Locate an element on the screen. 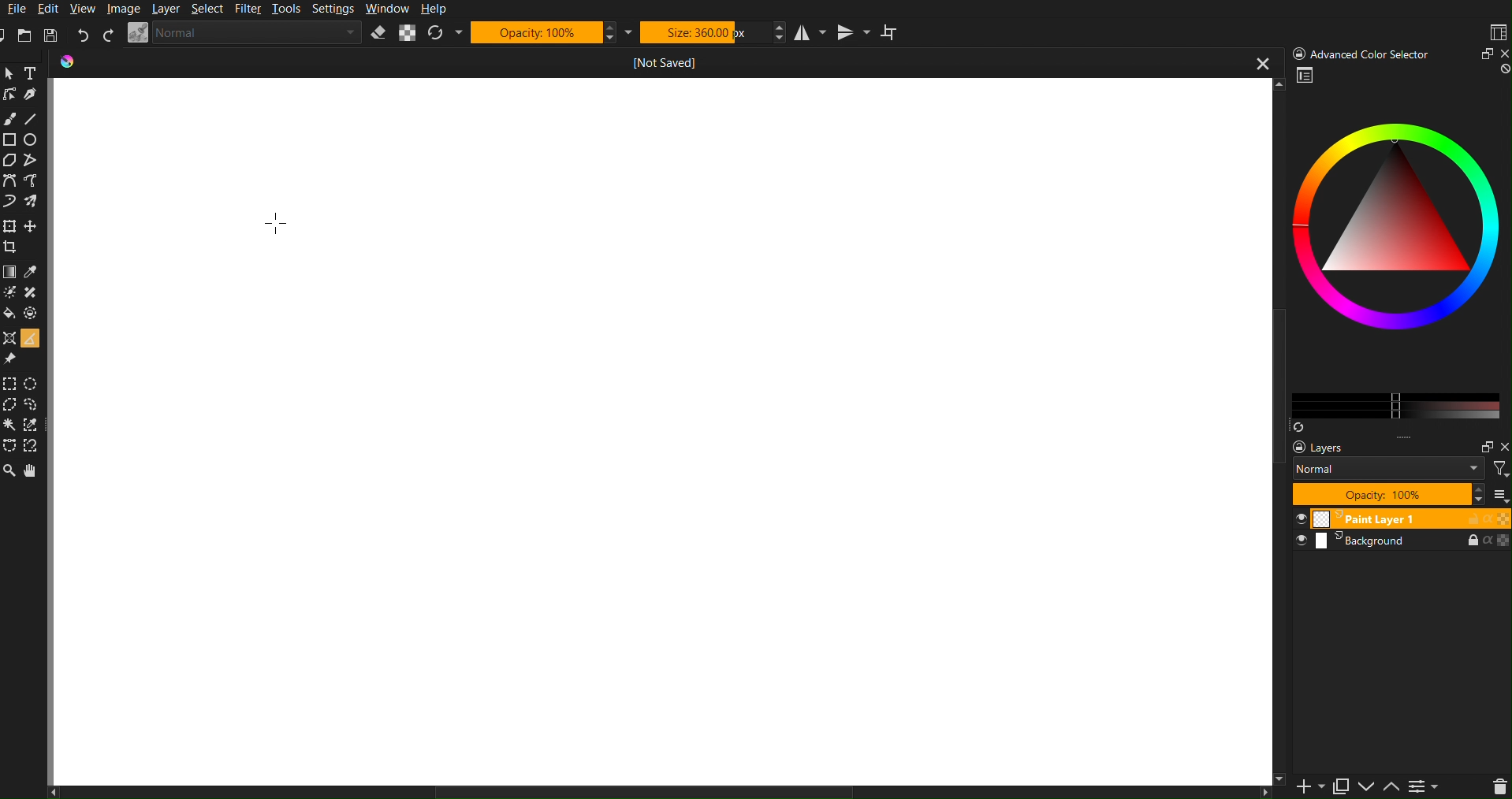  Lineart Tool is located at coordinates (9, 95).